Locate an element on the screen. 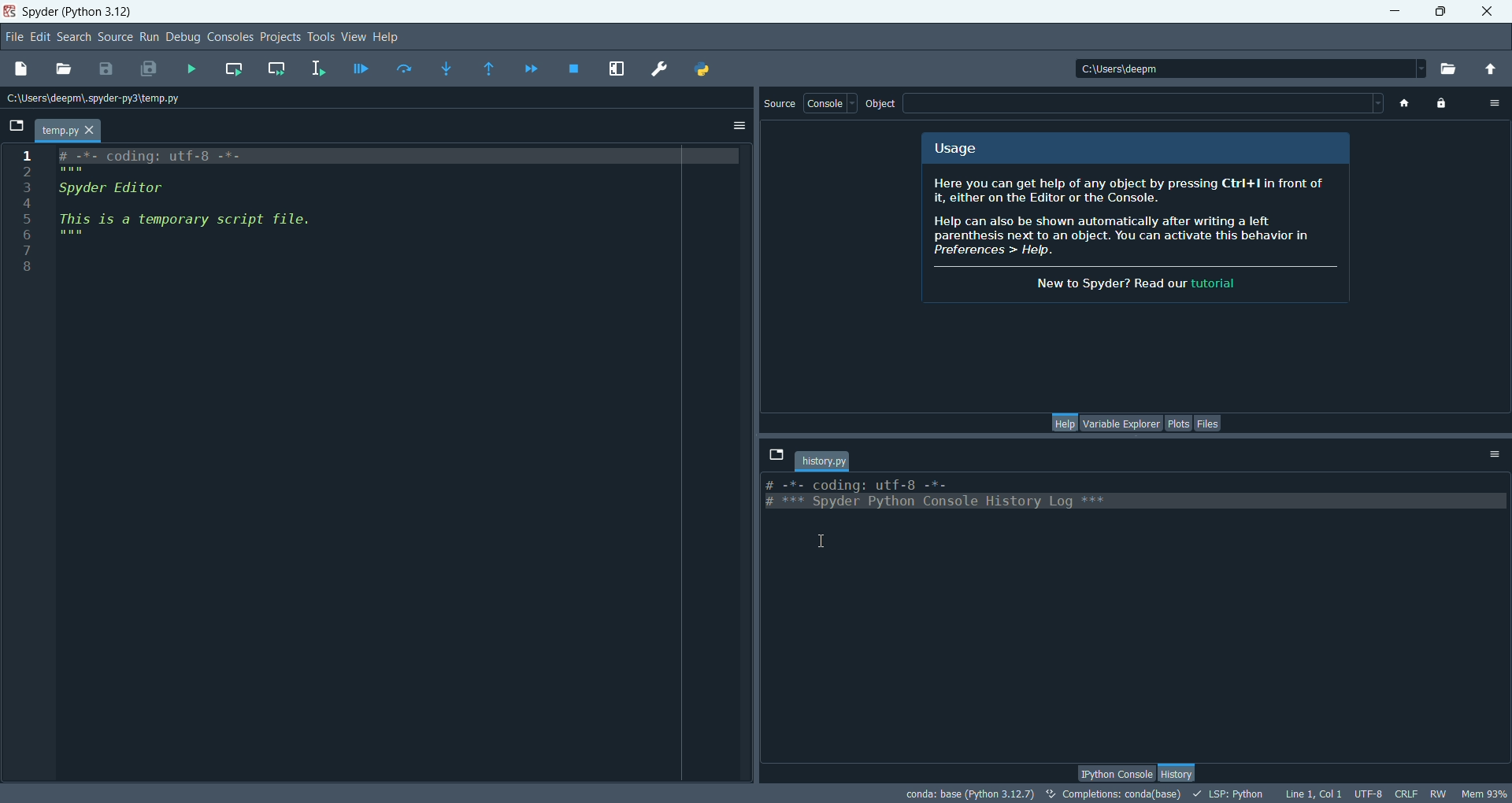 This screenshot has width=1512, height=803. history:py is located at coordinates (825, 458).